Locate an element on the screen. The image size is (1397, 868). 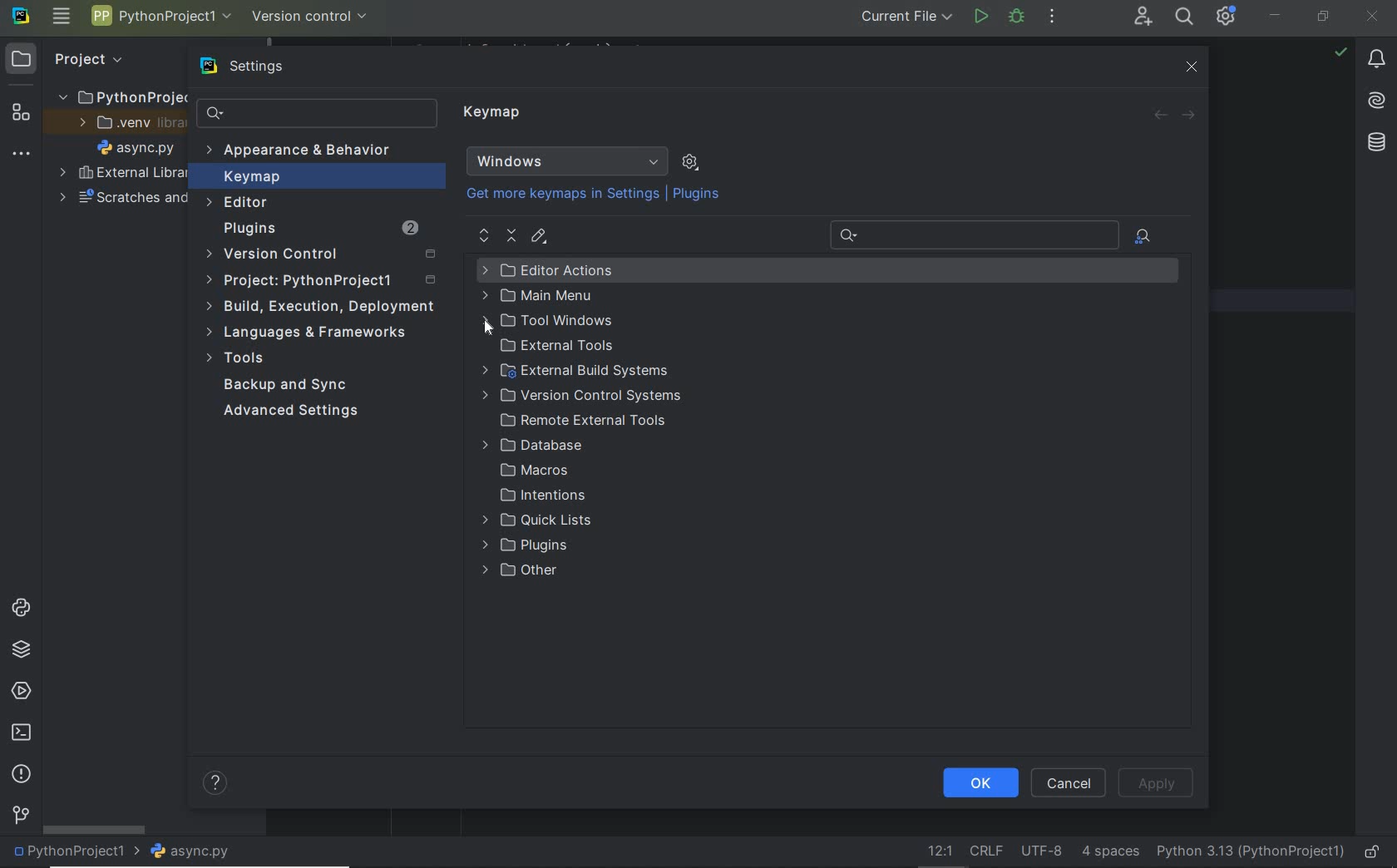
search settings is located at coordinates (317, 113).